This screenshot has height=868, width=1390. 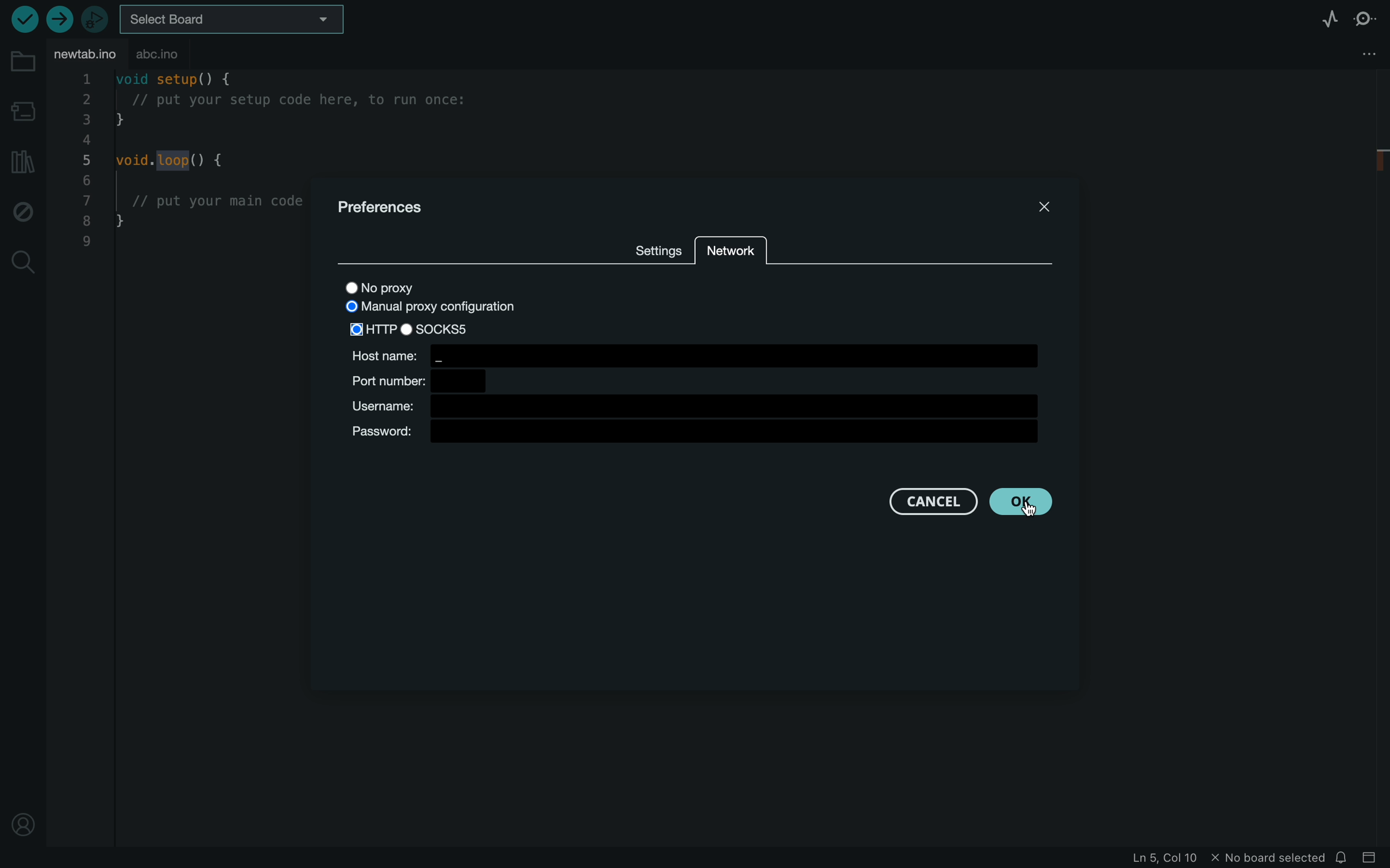 What do you see at coordinates (1344, 858) in the screenshot?
I see `notification` at bounding box center [1344, 858].